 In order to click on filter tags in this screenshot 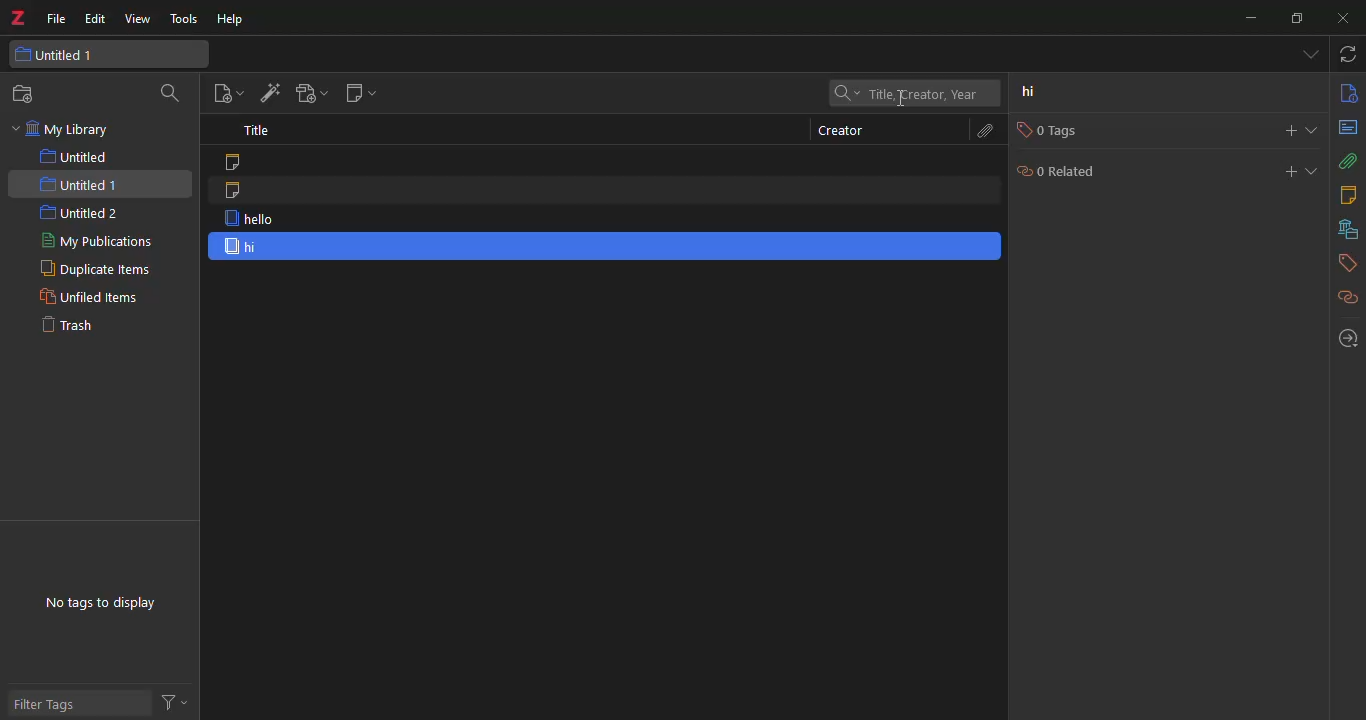, I will do `click(51, 704)`.